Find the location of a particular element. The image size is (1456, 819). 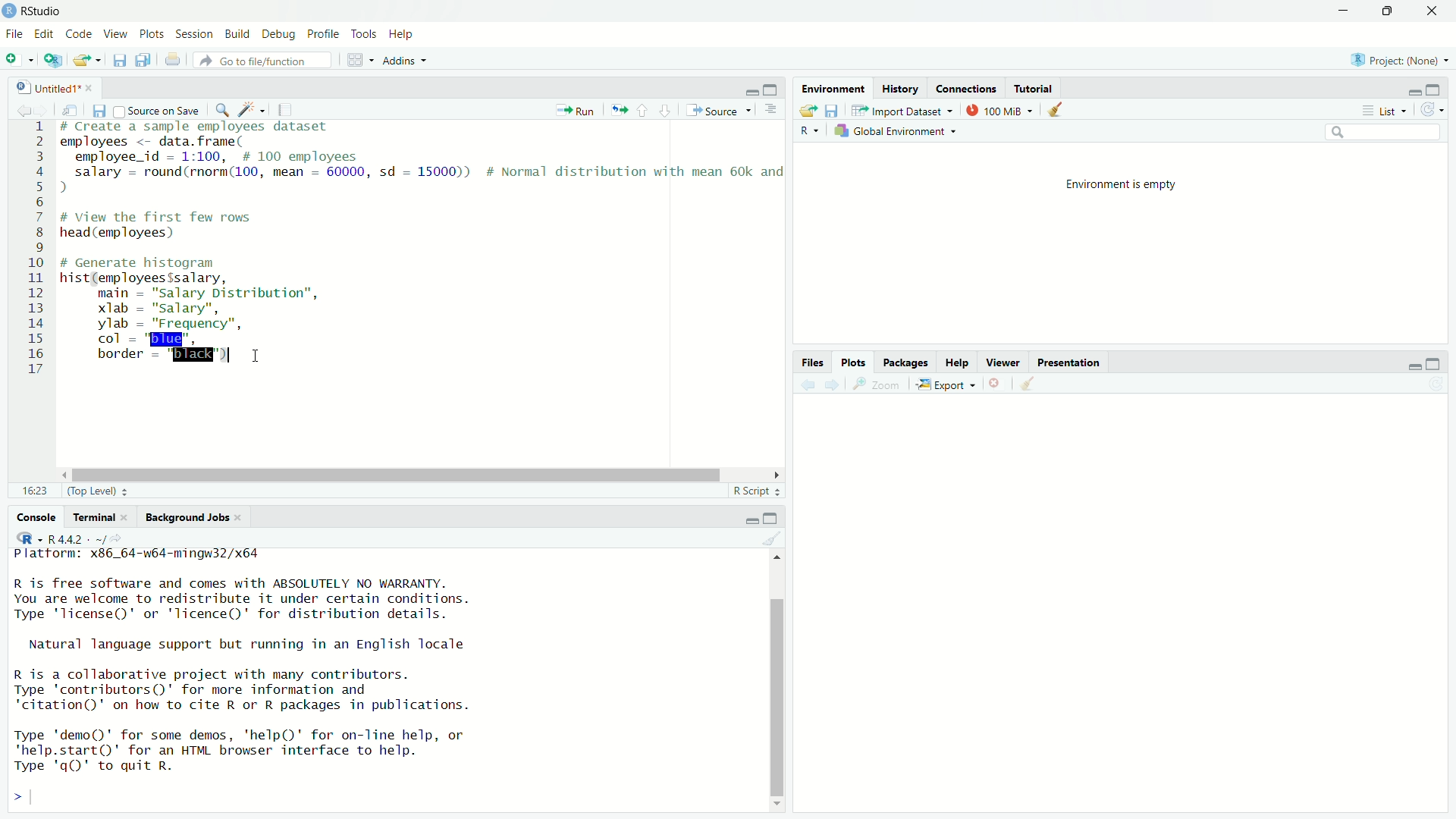

Presentation is located at coordinates (1071, 362).